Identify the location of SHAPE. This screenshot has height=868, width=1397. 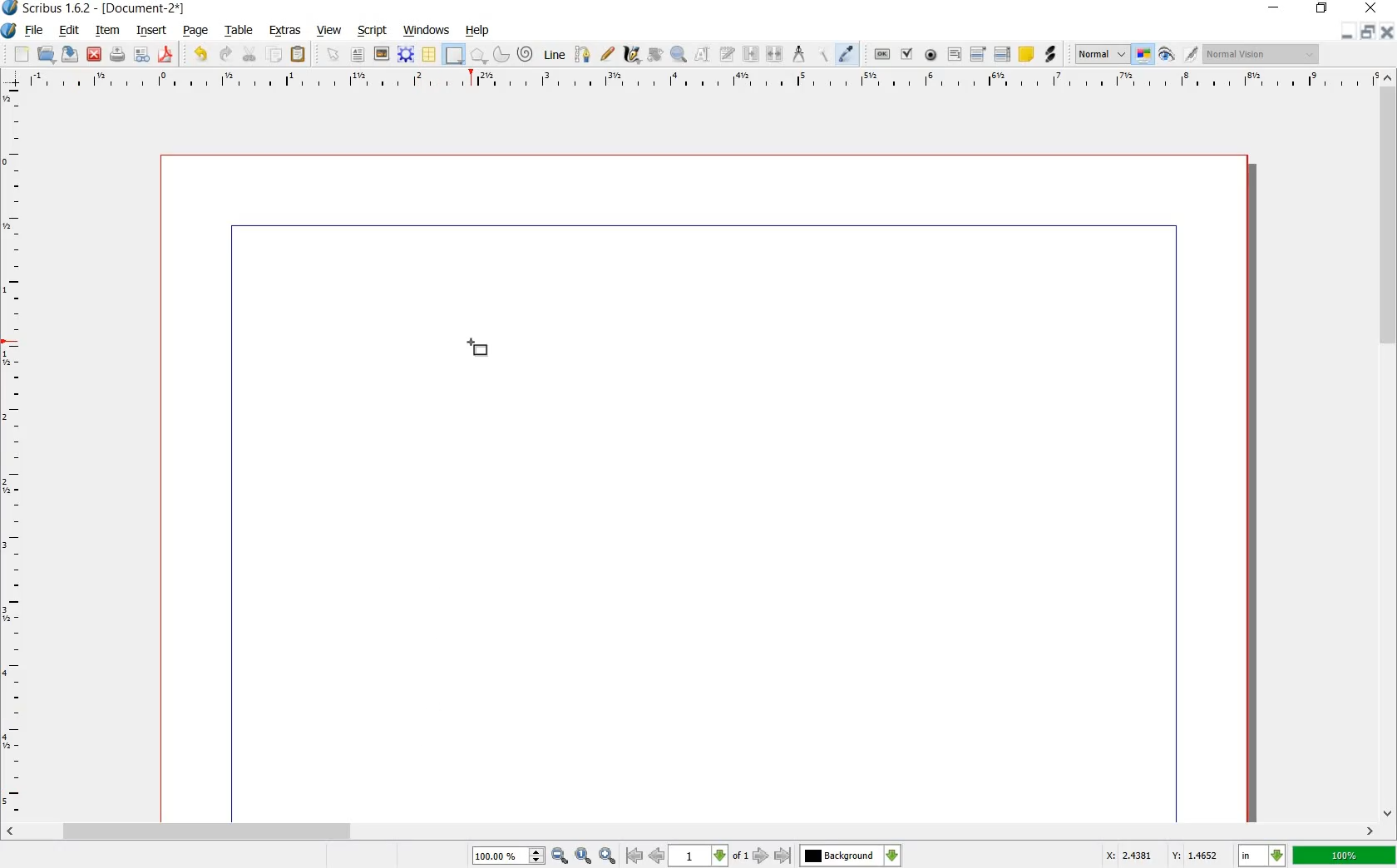
(453, 54).